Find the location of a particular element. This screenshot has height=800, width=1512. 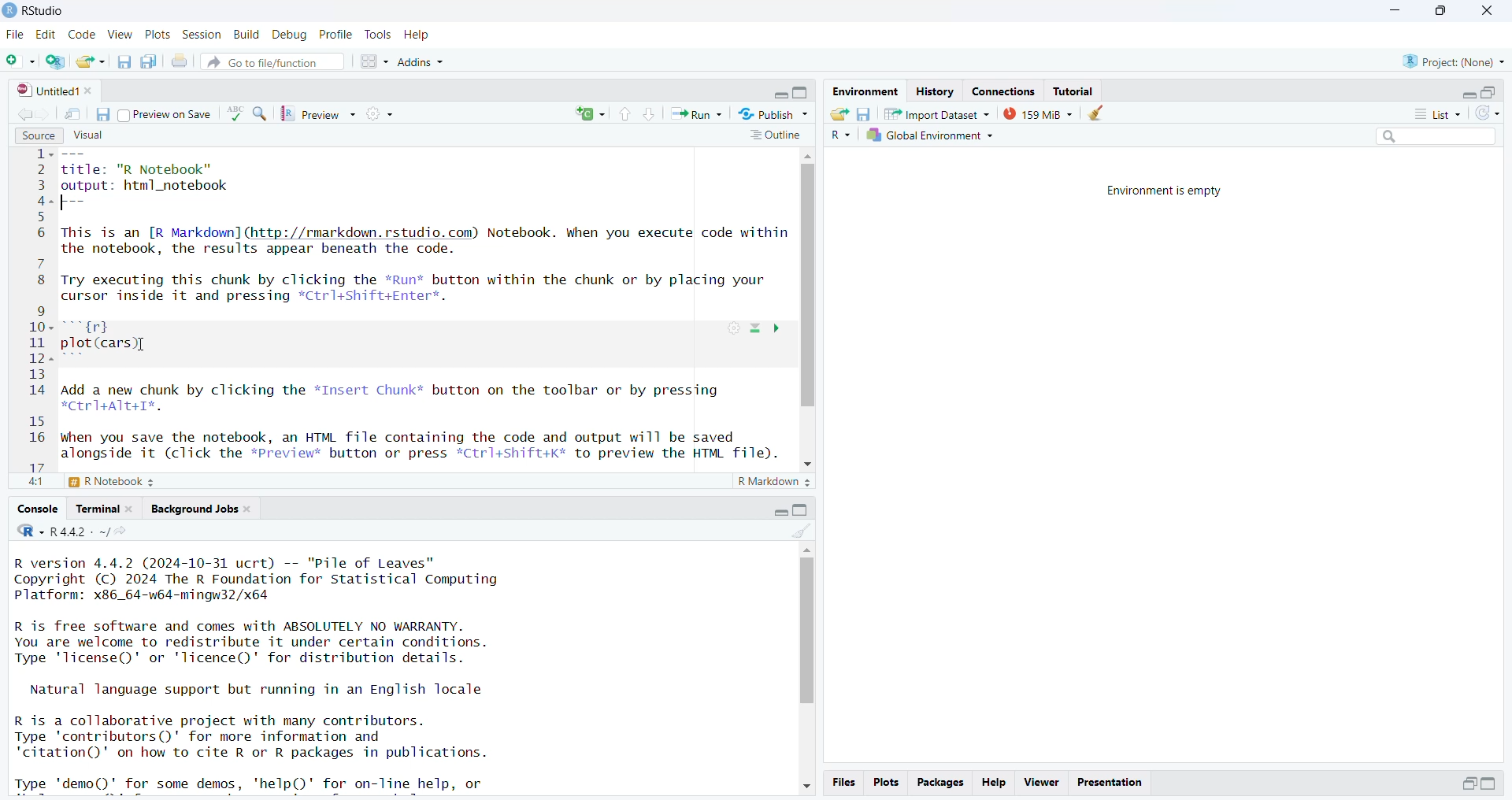

expand is located at coordinates (1492, 784).